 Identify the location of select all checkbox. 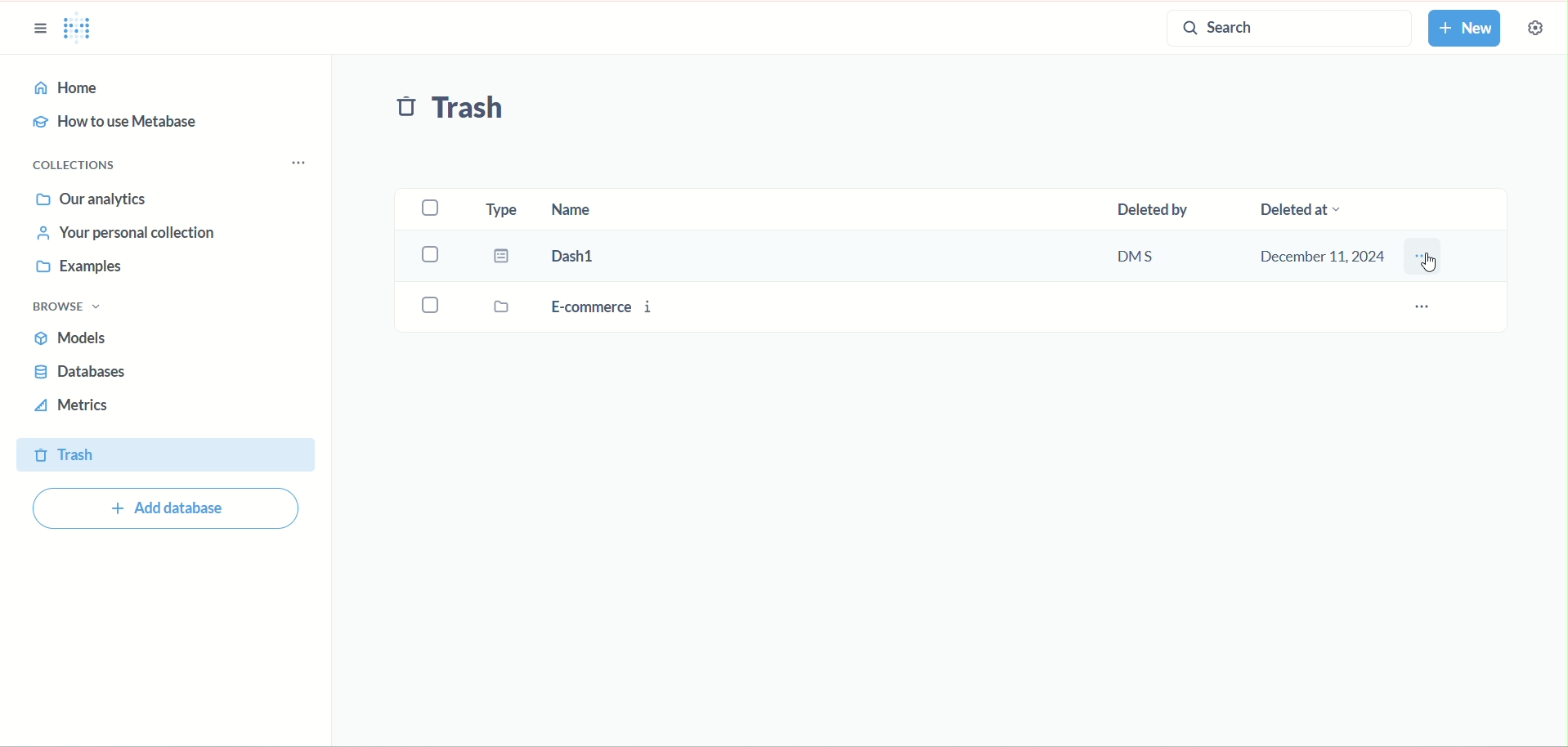
(434, 207).